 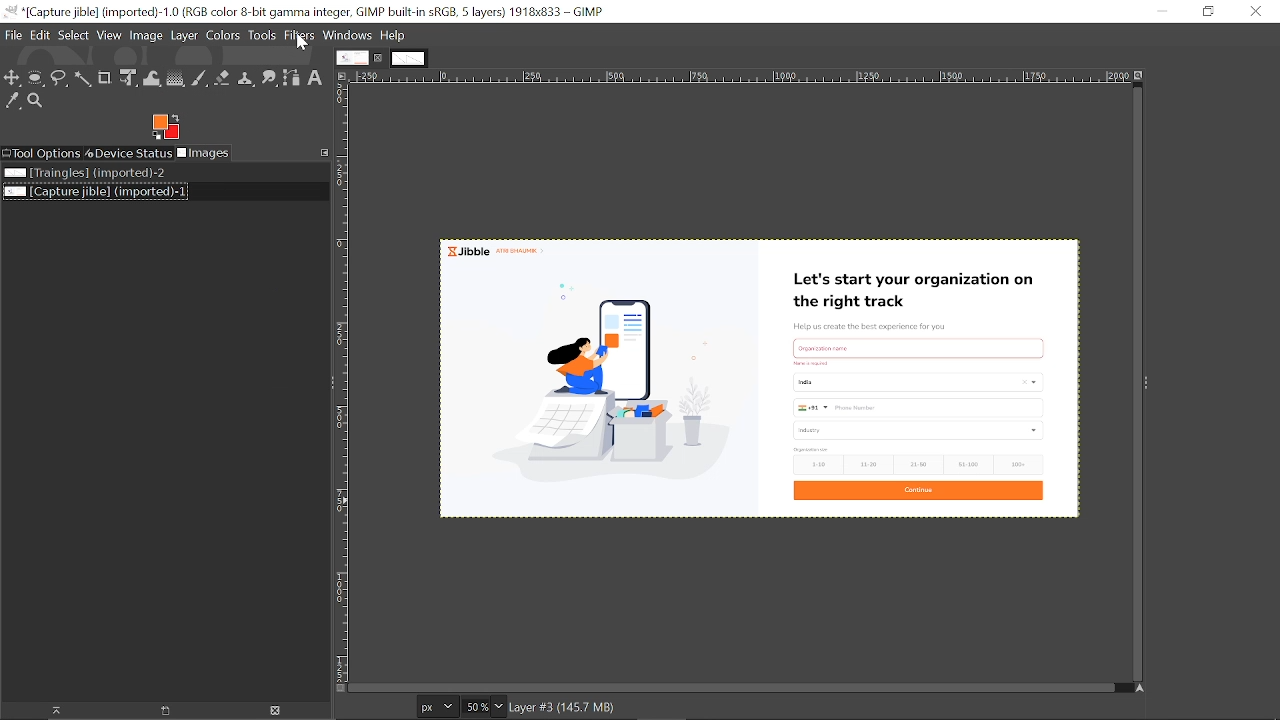 I want to click on Minimize, so click(x=1162, y=12).